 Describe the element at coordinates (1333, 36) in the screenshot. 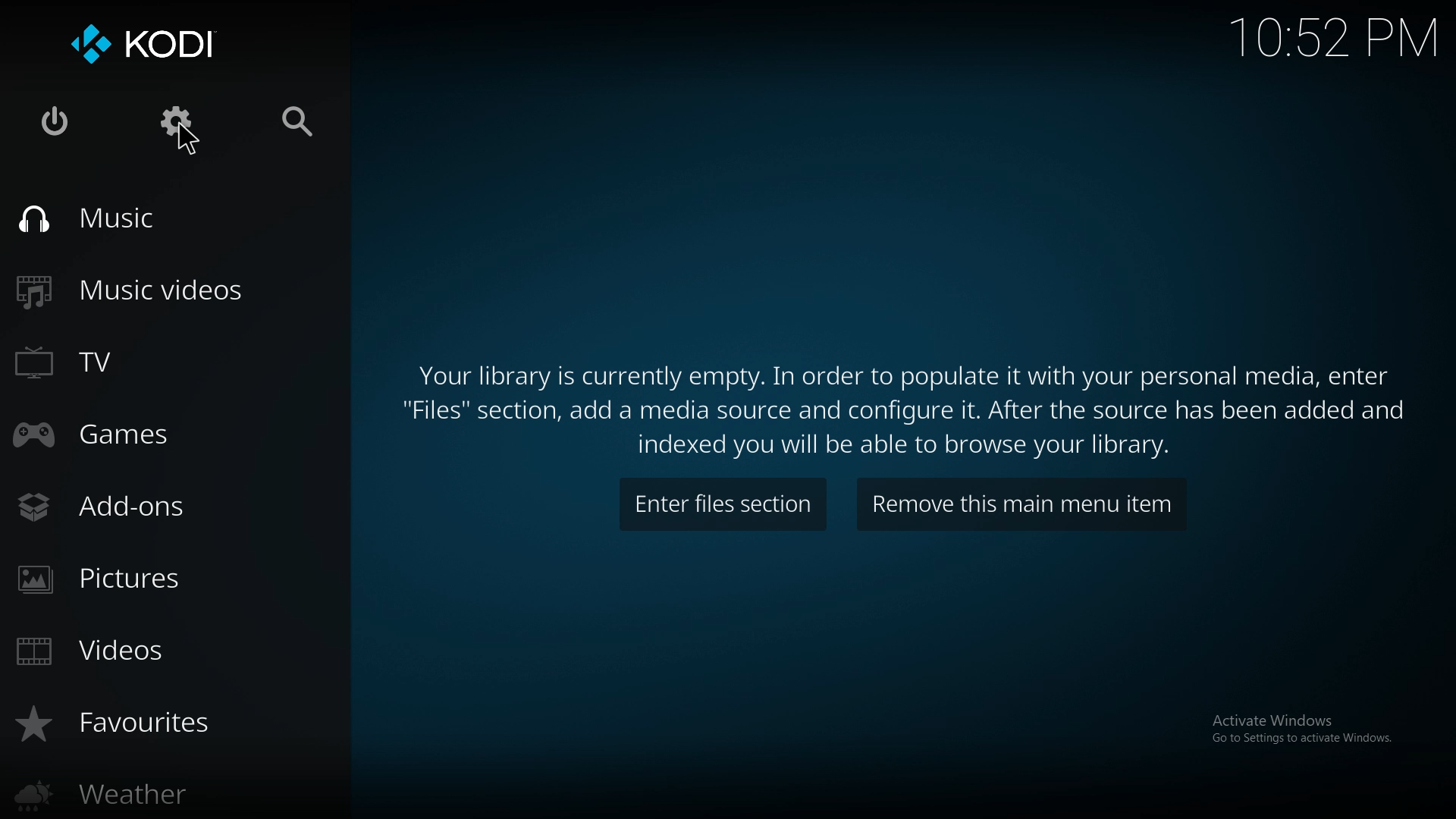

I see `time` at that location.